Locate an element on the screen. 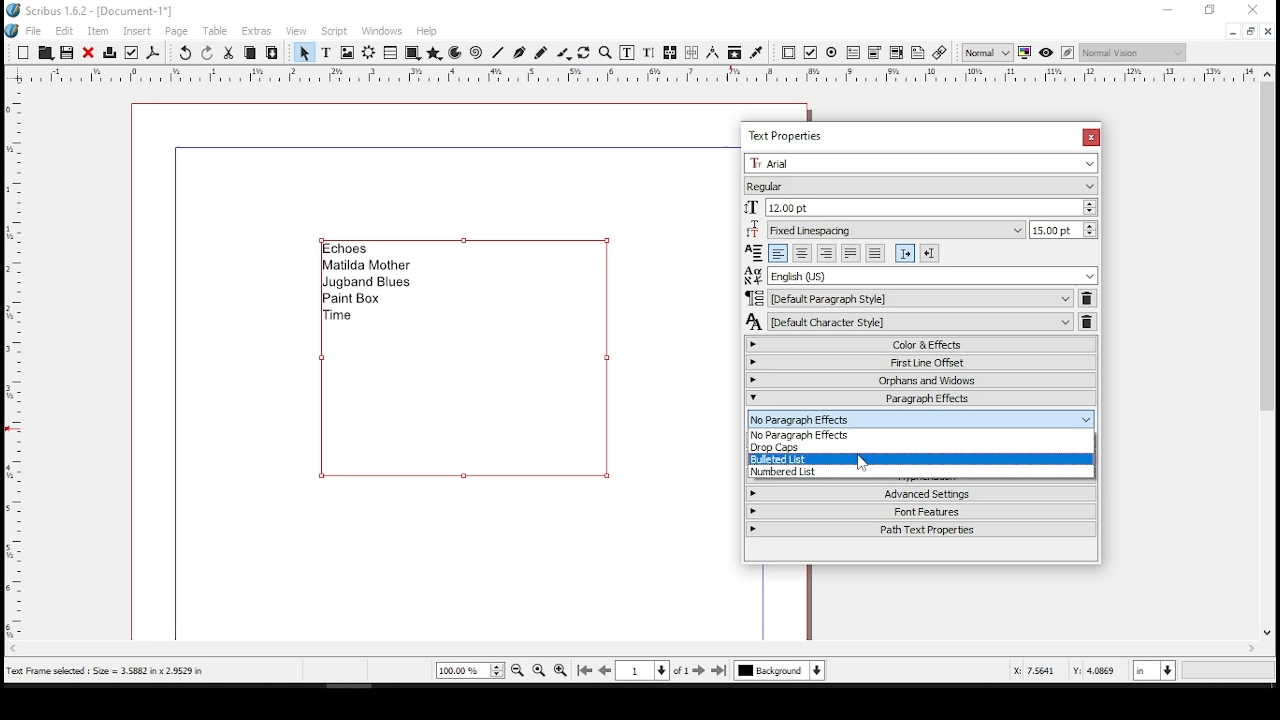 Image resolution: width=1280 pixels, height=720 pixels. edit in preview mode is located at coordinates (1070, 53).